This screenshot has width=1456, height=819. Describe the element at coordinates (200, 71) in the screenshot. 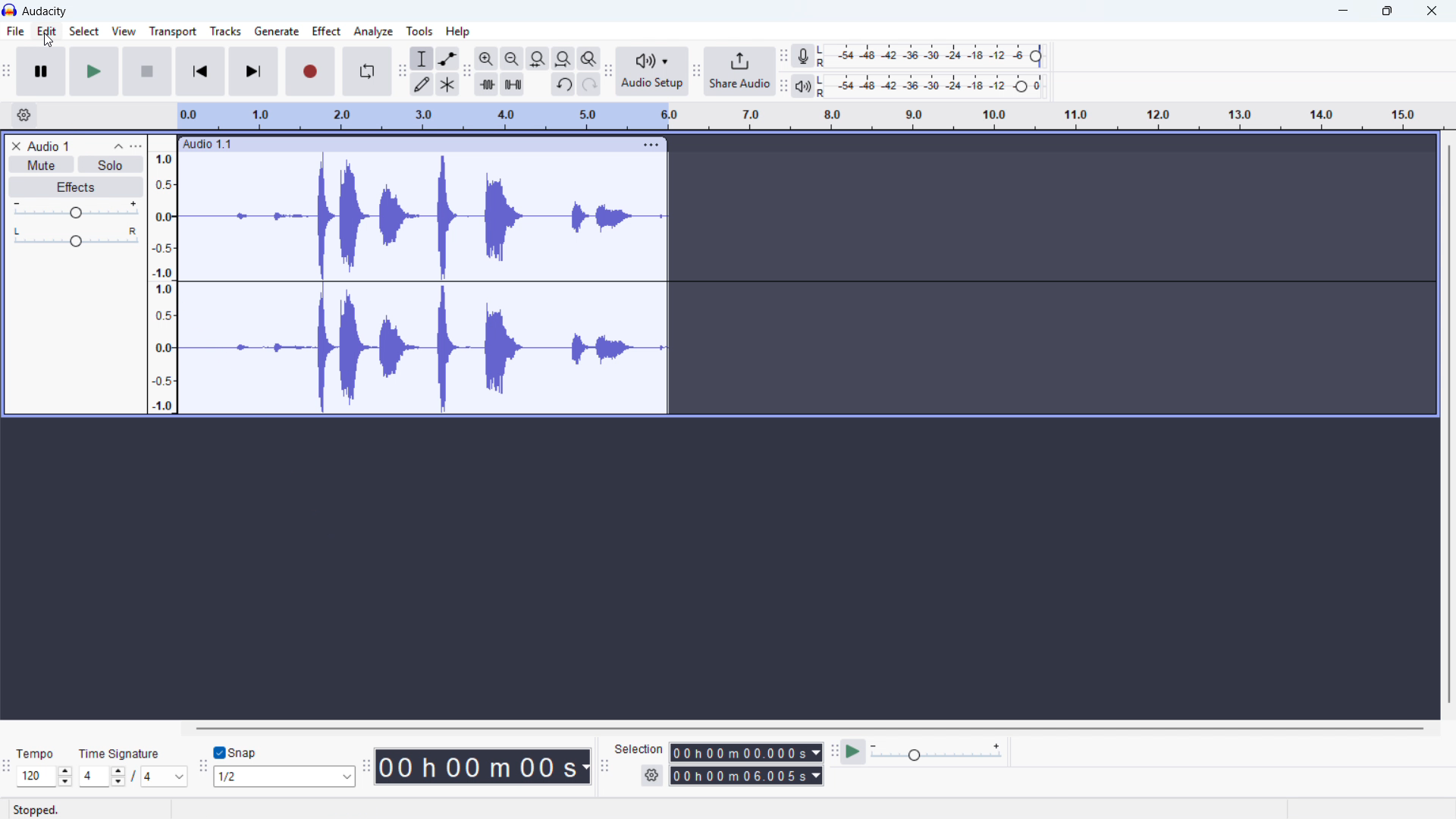

I see `skip to start` at that location.